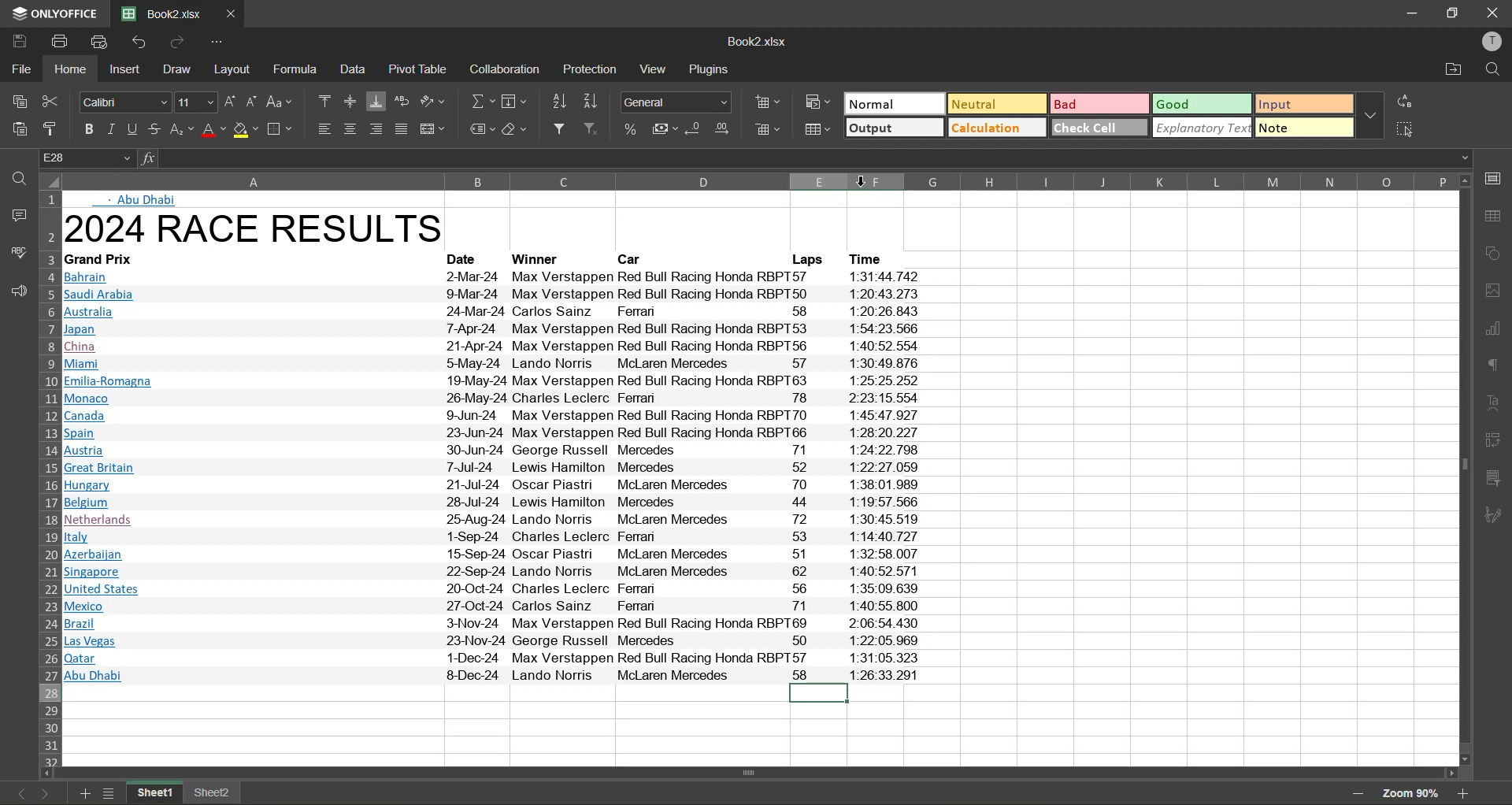  I want to click on | Grand Prix, so click(104, 258).